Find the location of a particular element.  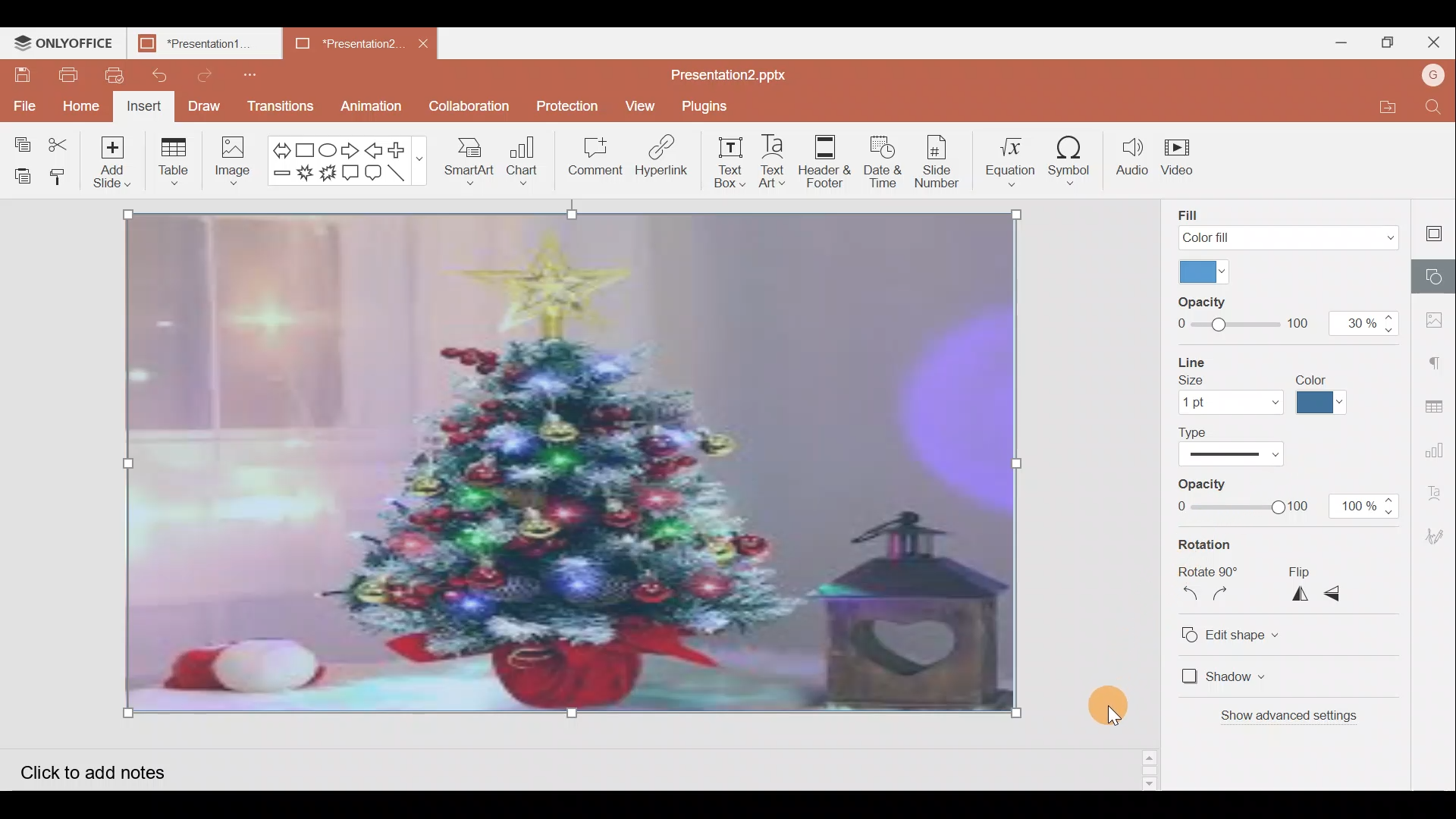

Fill color is located at coordinates (1202, 270).